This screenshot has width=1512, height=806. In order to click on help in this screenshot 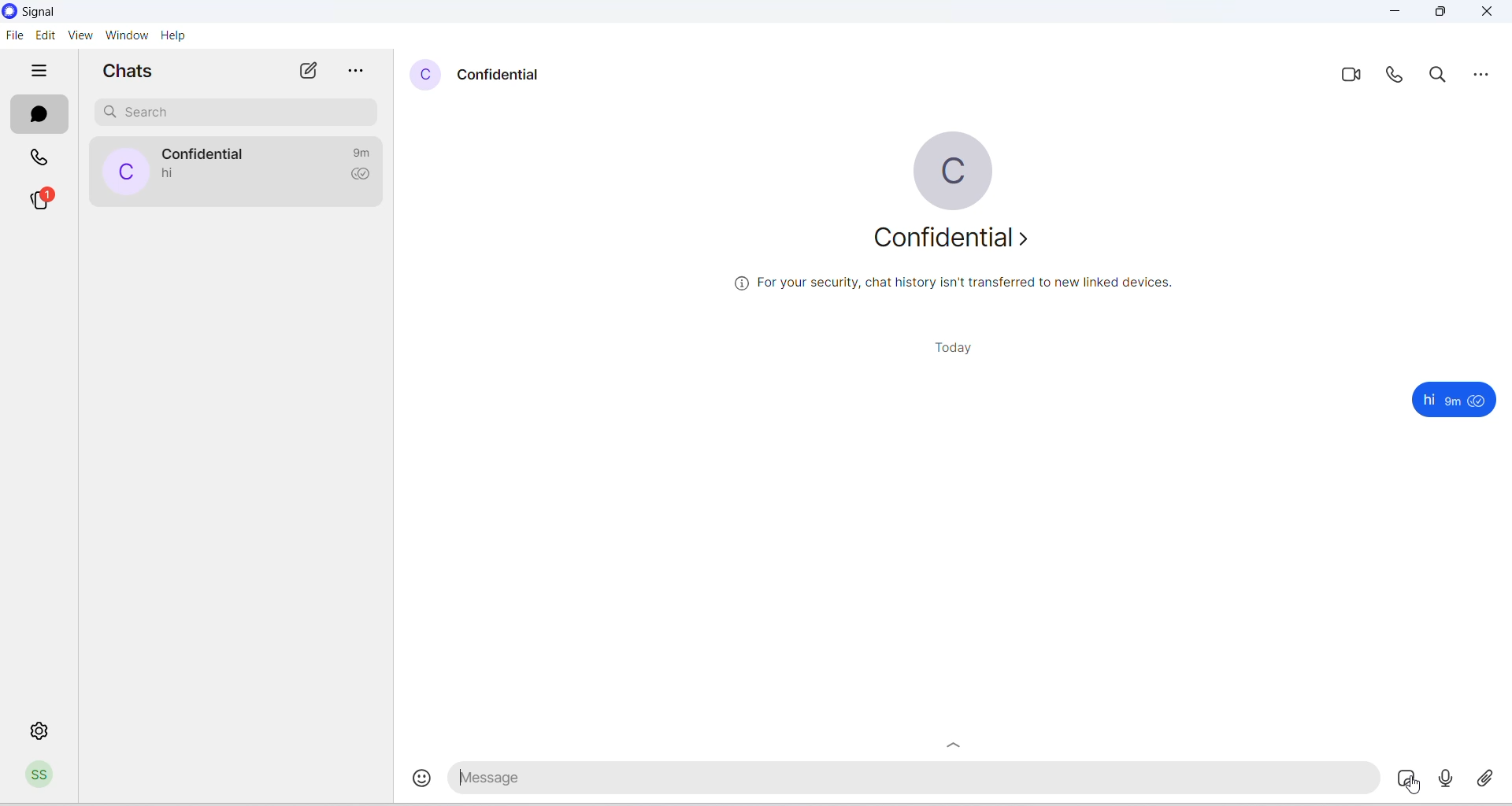, I will do `click(173, 35)`.